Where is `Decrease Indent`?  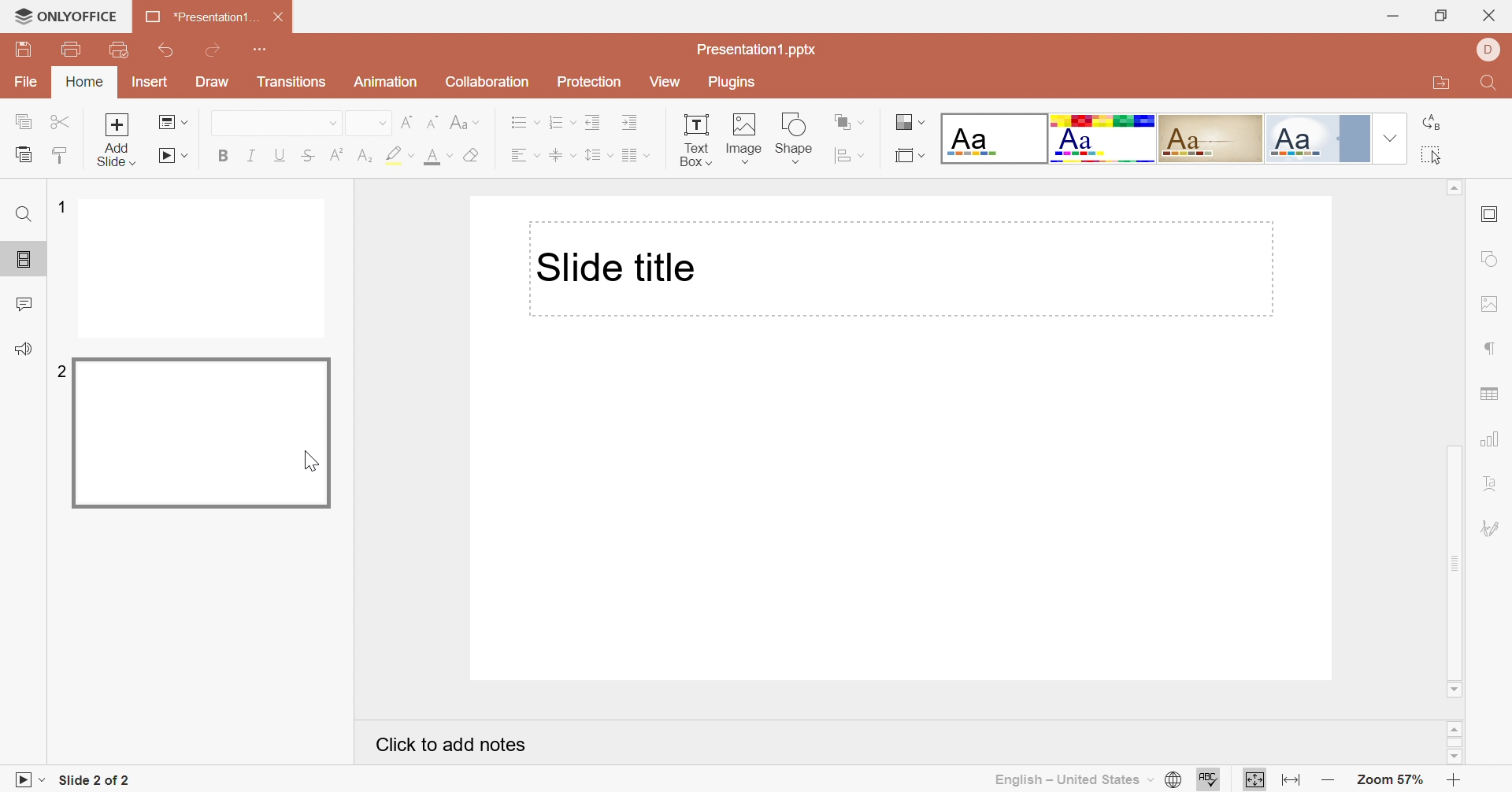 Decrease Indent is located at coordinates (595, 121).